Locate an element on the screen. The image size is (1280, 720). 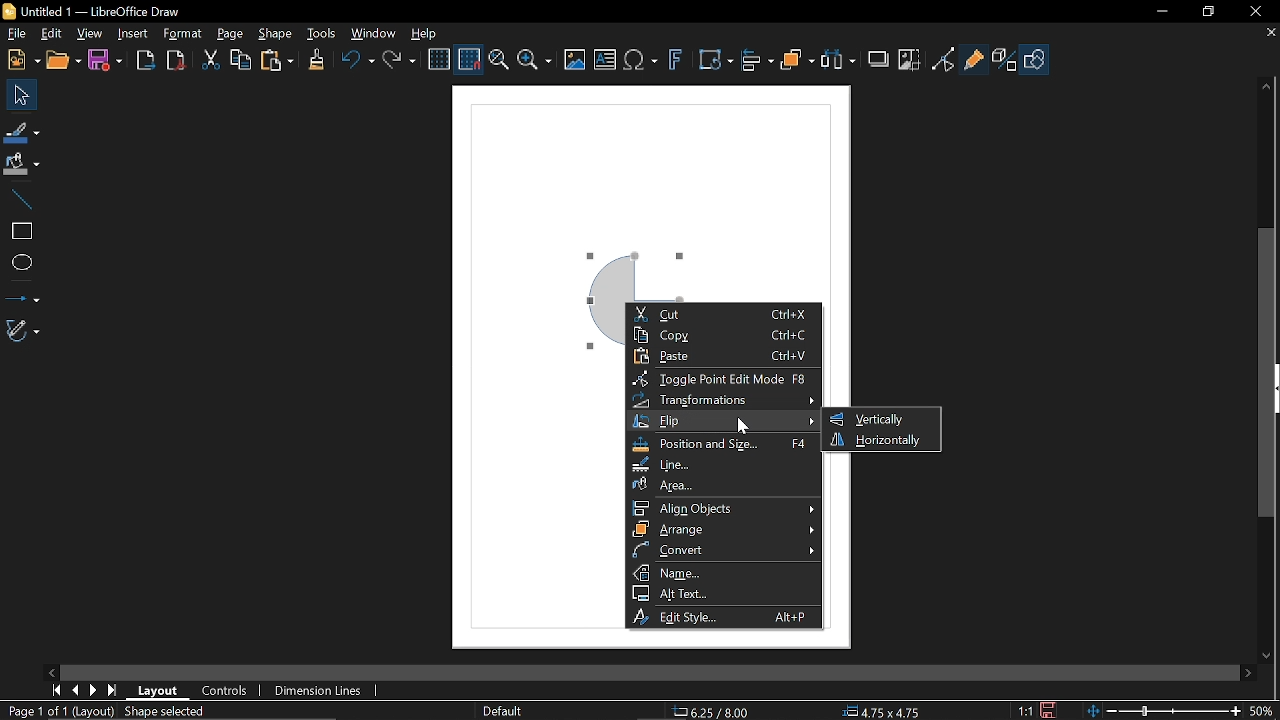
Vertically is located at coordinates (870, 419).